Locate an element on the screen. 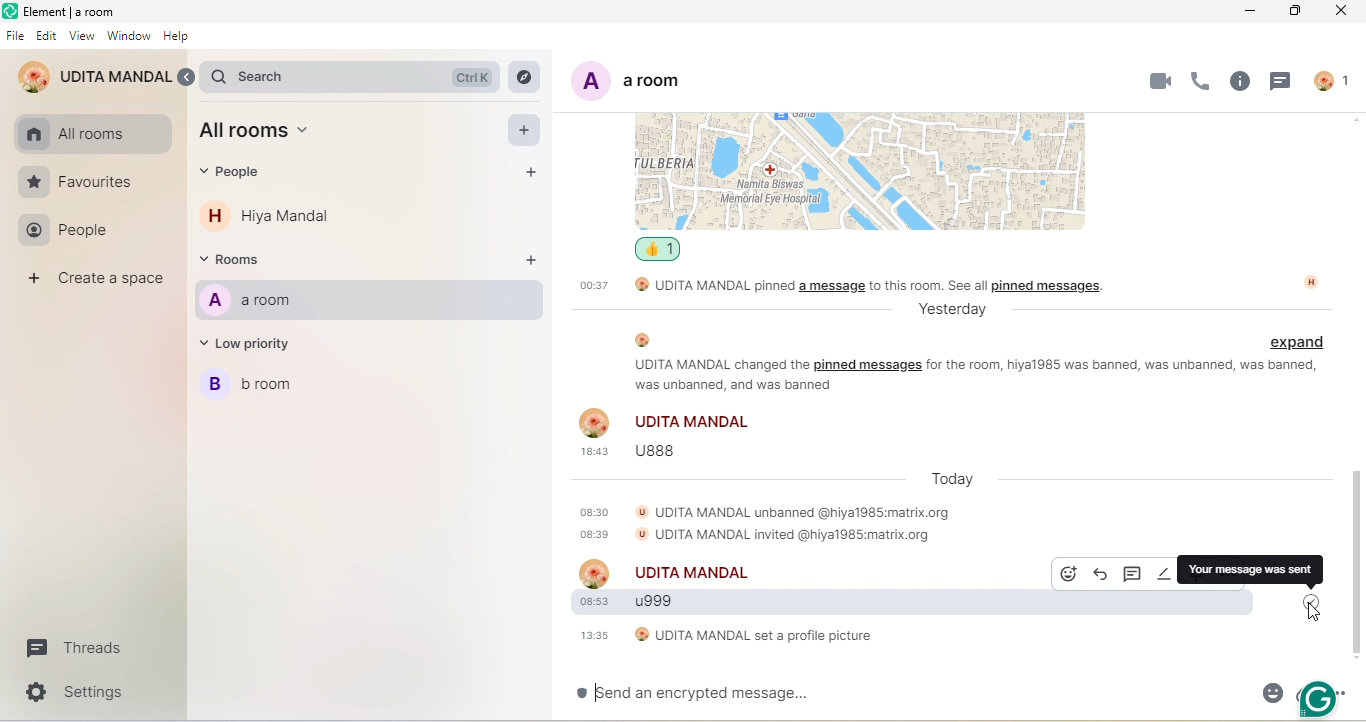  UDITA MANDAL is located at coordinates (92, 76).